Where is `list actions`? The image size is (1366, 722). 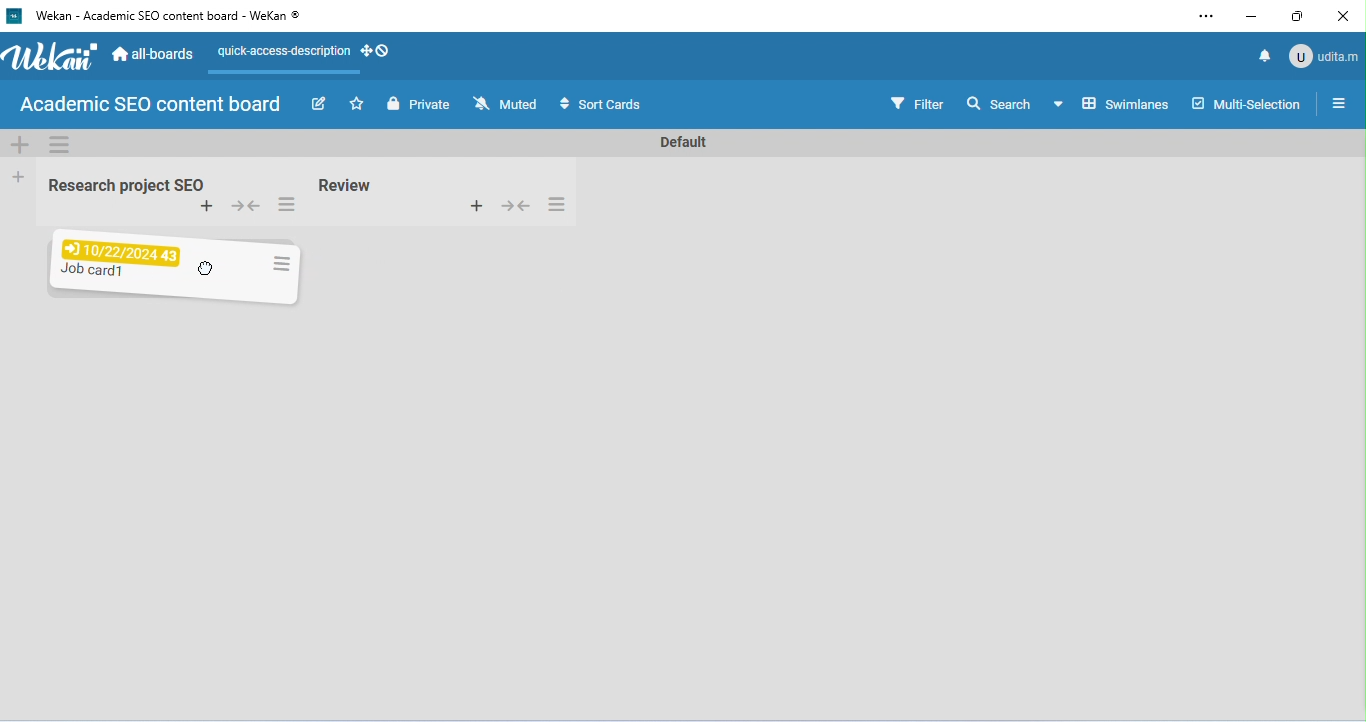 list actions is located at coordinates (557, 204).